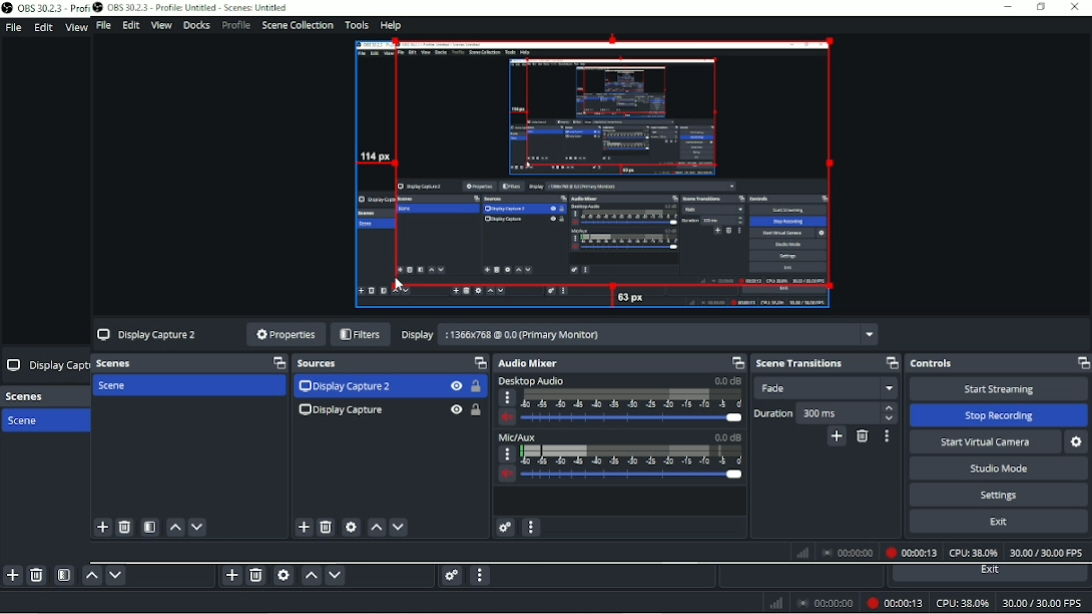  I want to click on stepper buttons, so click(891, 413).